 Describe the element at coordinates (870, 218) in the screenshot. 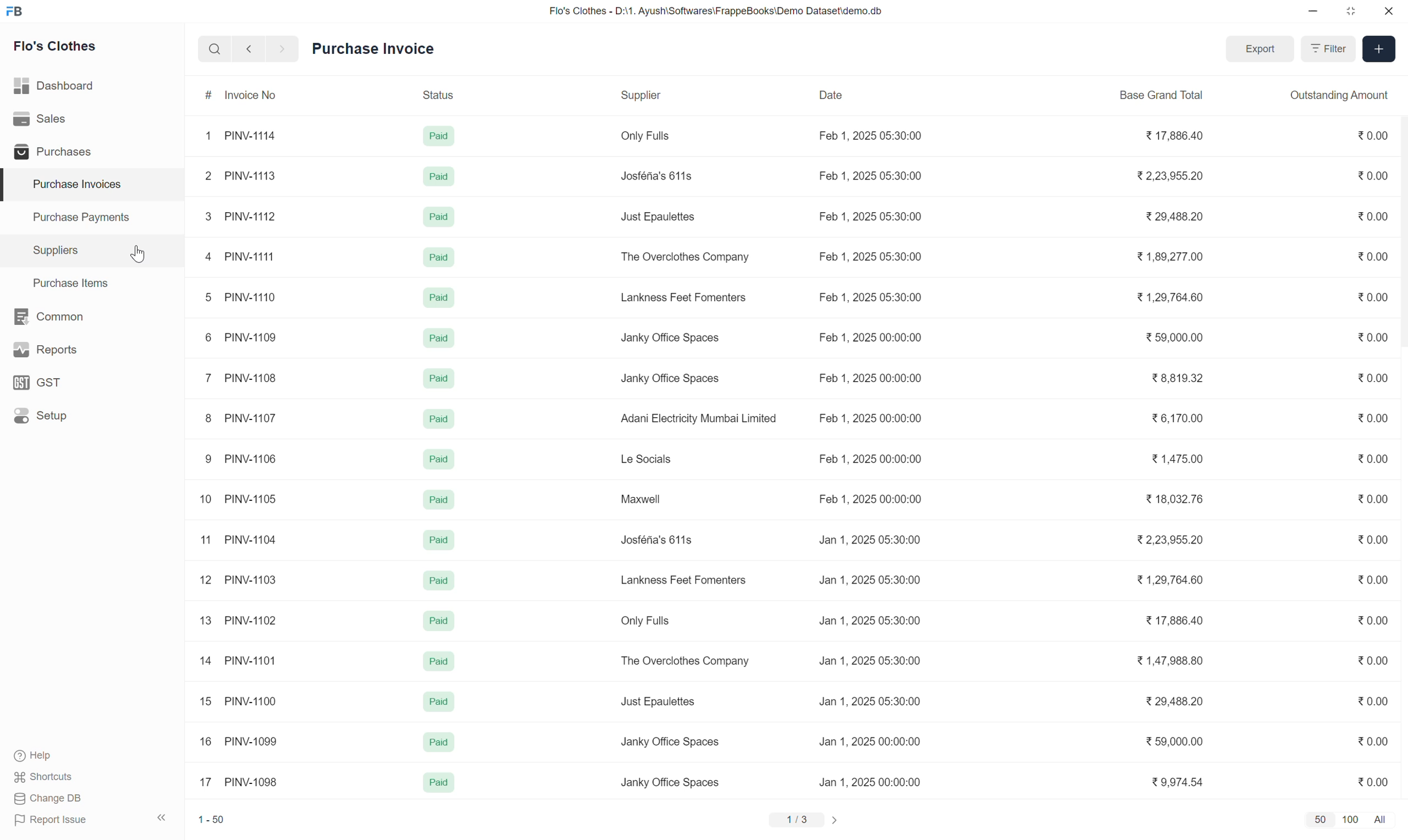

I see `Feb 1, 2025 05:30:00` at that location.